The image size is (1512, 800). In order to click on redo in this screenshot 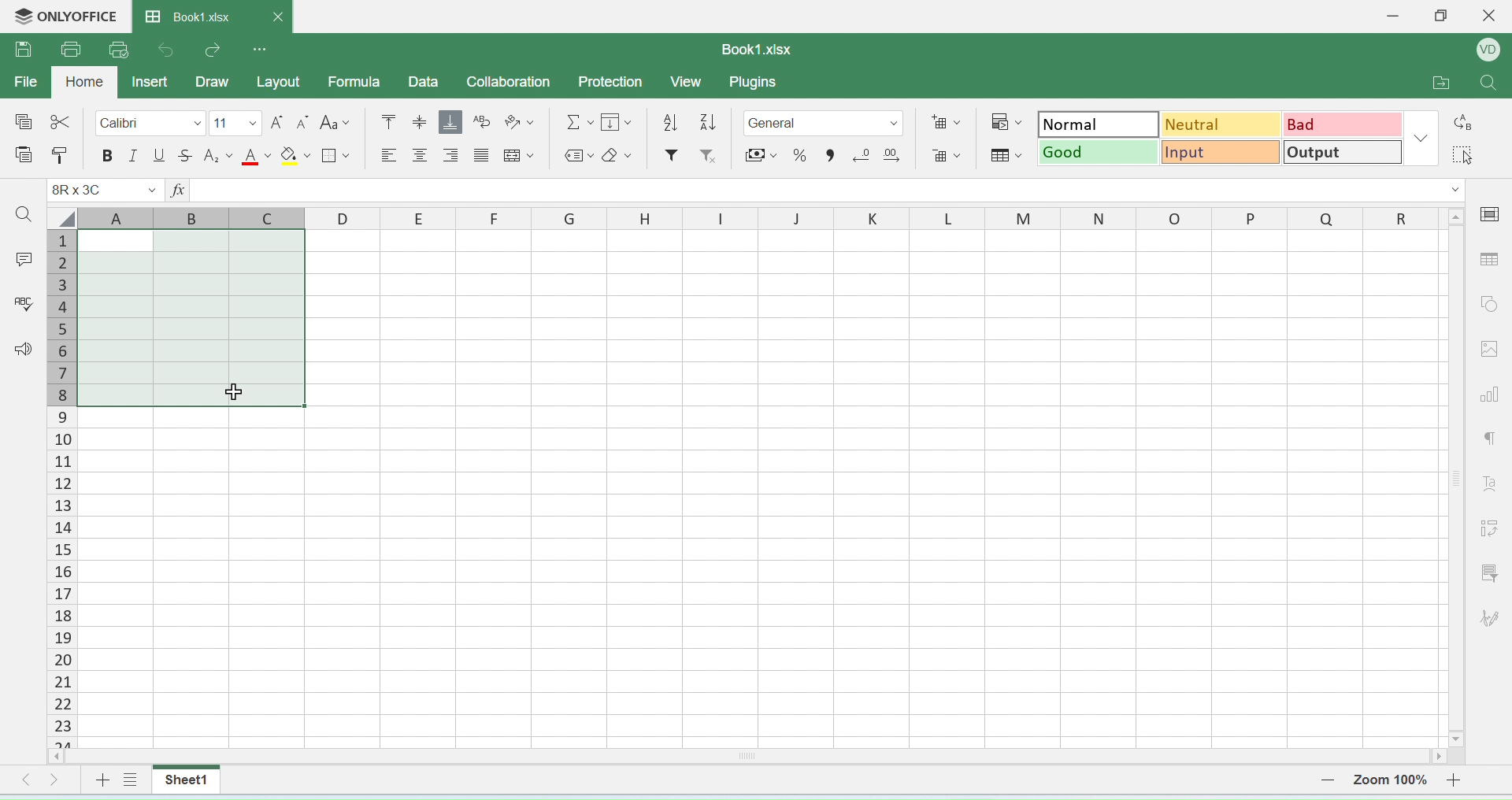, I will do `click(213, 50)`.